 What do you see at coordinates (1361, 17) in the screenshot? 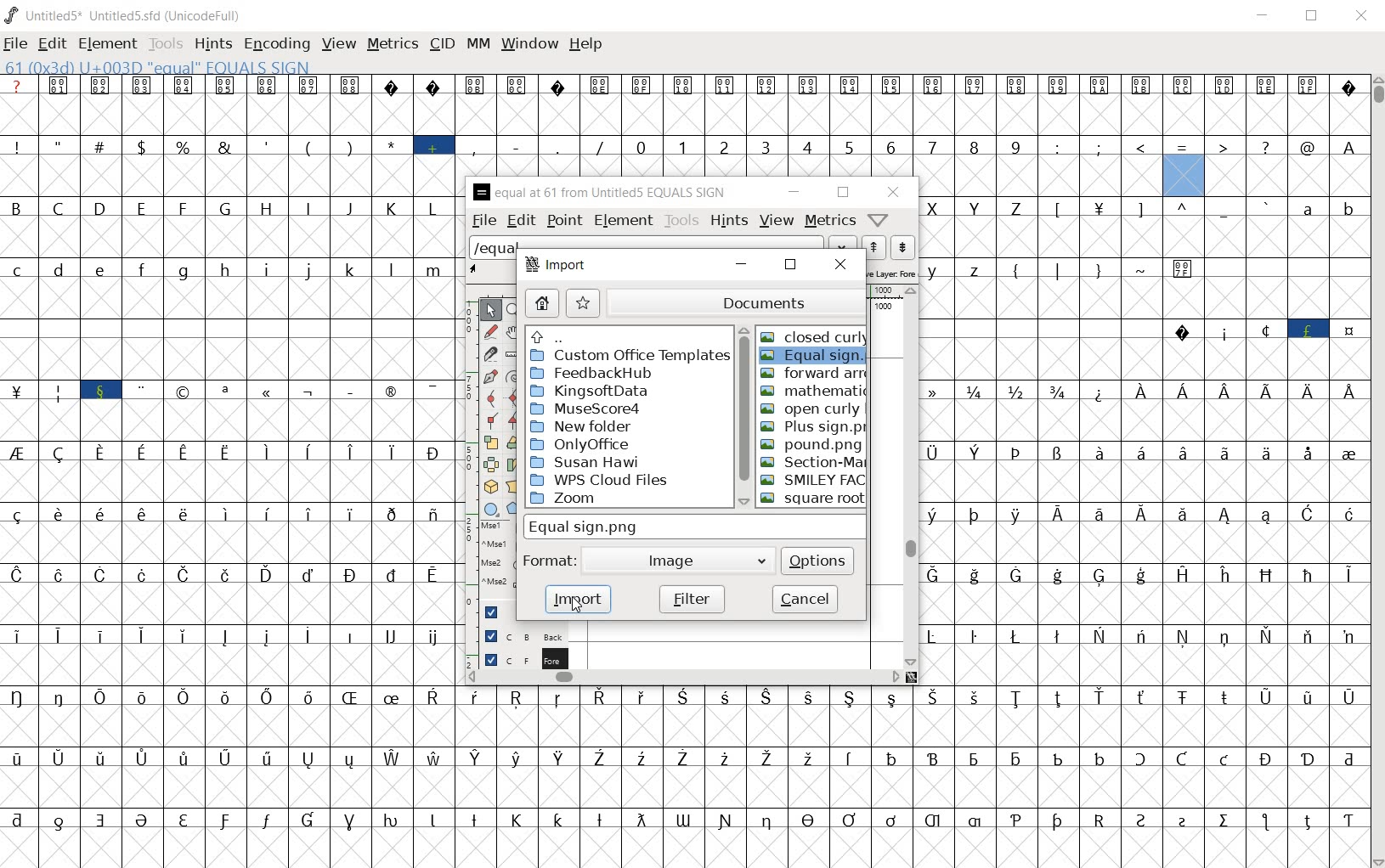
I see `close` at bounding box center [1361, 17].